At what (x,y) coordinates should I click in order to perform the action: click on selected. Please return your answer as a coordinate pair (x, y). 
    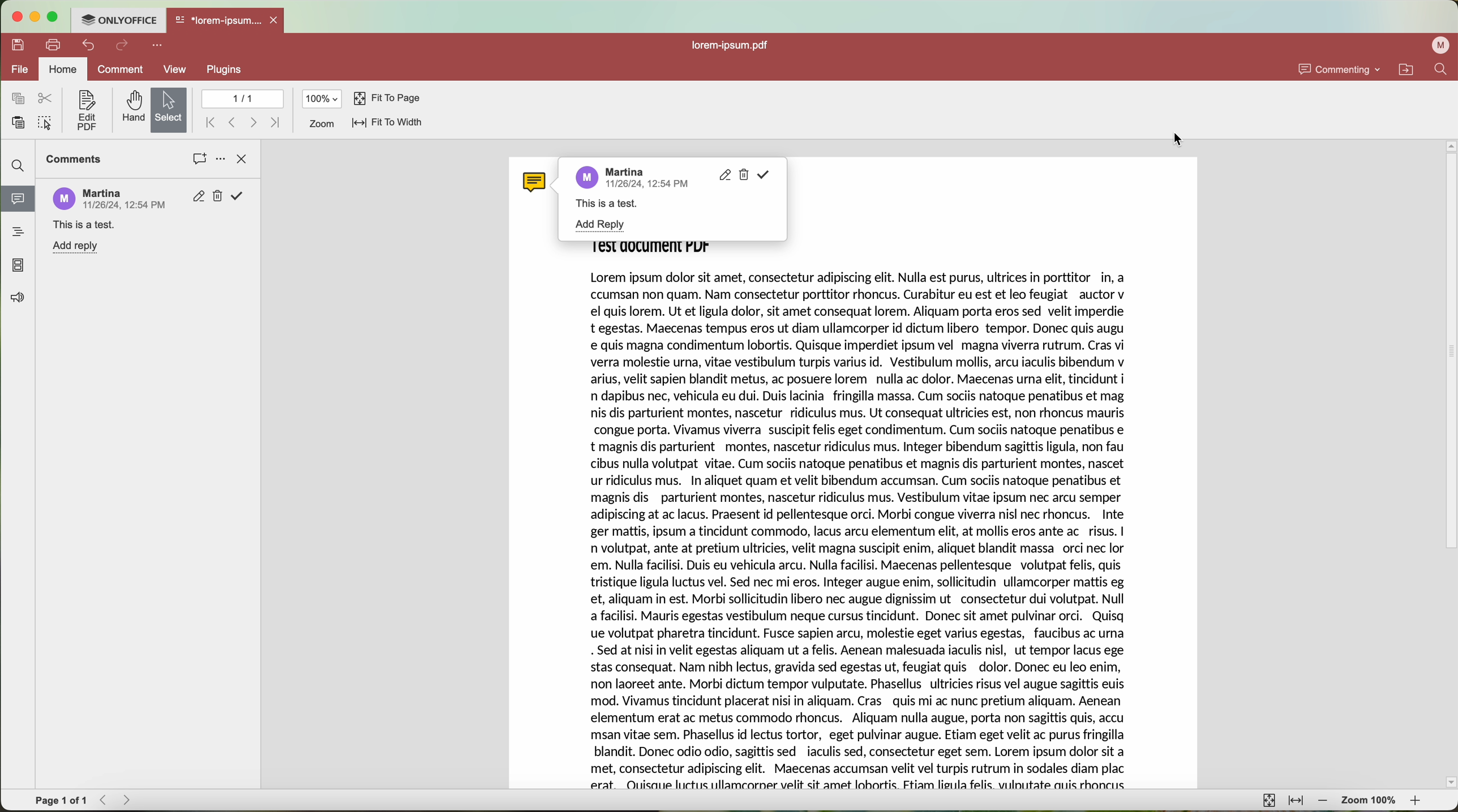
    Looking at the image, I should click on (170, 110).